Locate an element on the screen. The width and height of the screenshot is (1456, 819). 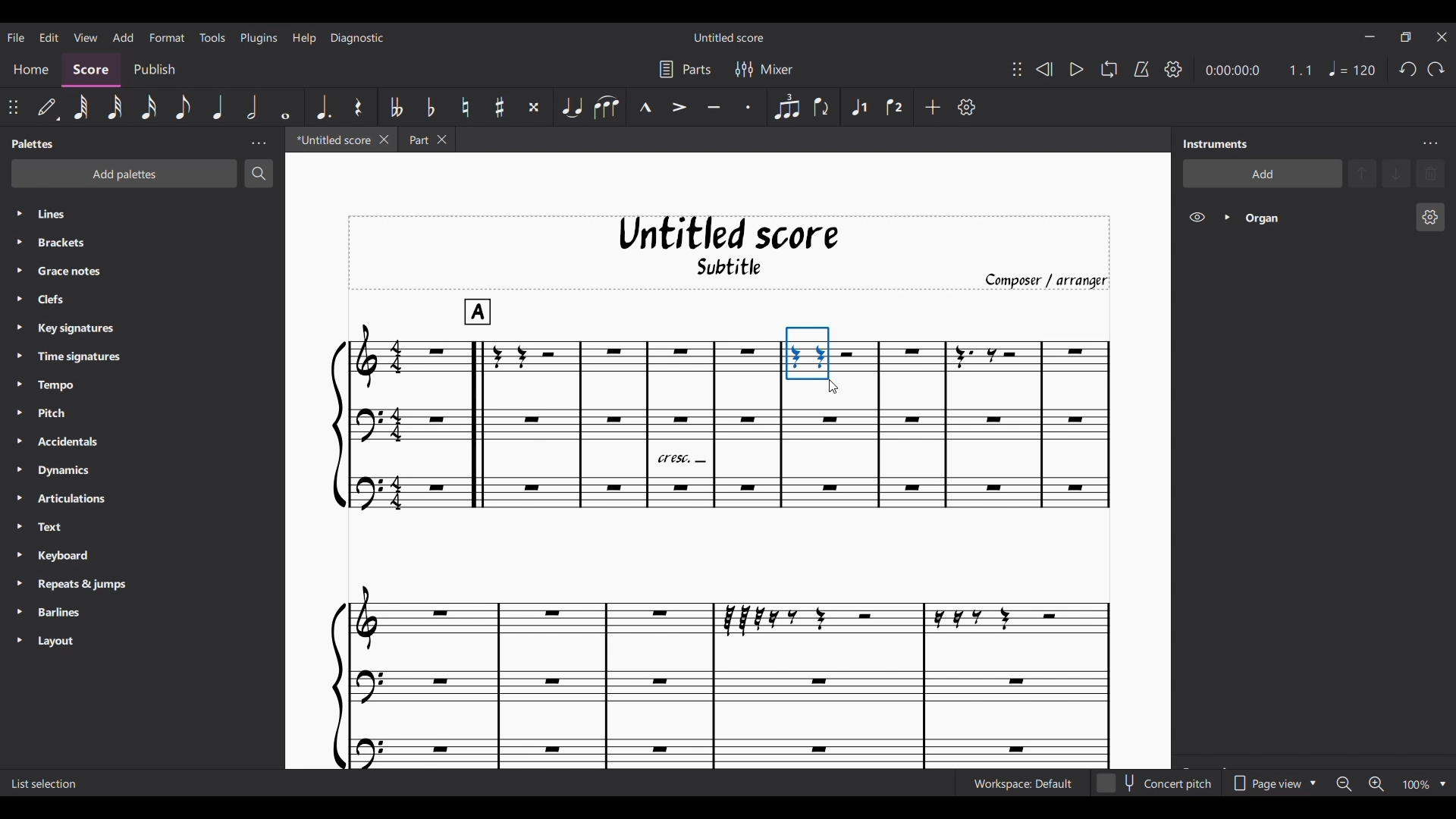
Add is located at coordinates (933, 107).